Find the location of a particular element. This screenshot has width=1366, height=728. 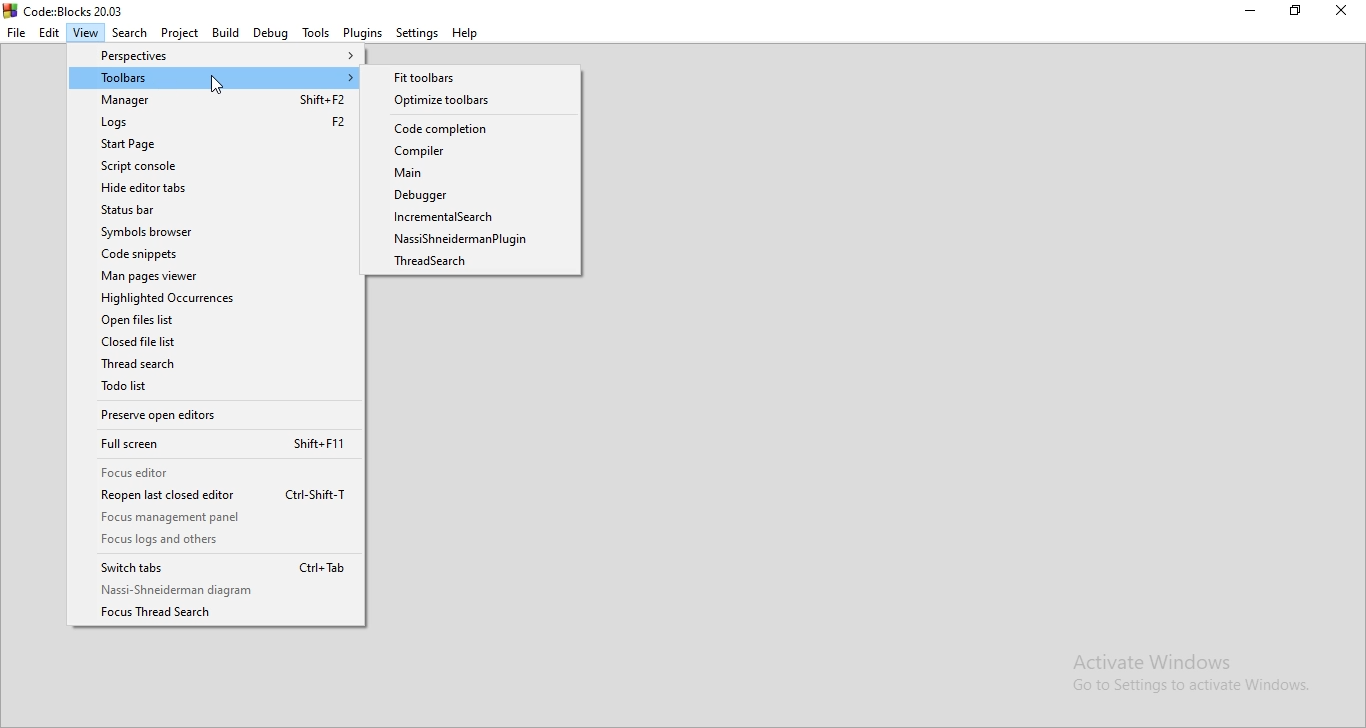

Search  is located at coordinates (130, 33).